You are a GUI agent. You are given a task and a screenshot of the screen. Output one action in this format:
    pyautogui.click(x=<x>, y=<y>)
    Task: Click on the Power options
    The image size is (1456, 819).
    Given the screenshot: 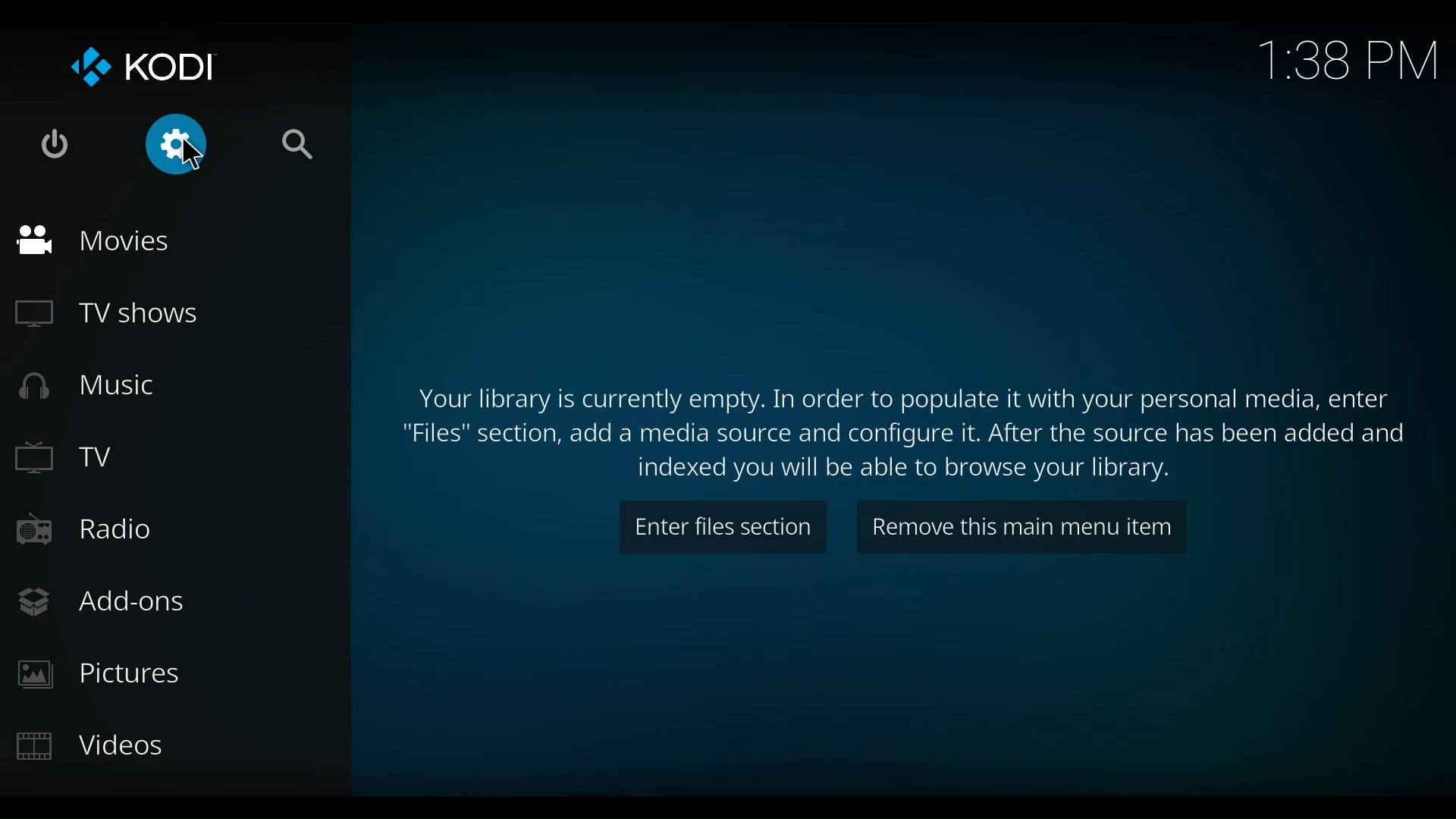 What is the action you would take?
    pyautogui.click(x=58, y=144)
    